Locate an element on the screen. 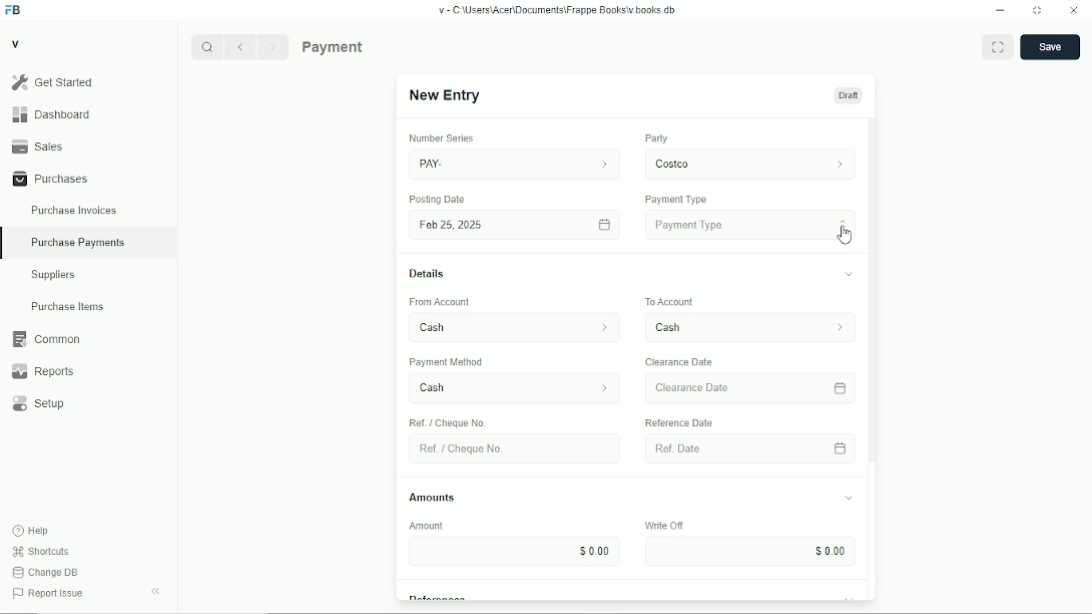 This screenshot has width=1092, height=614. V is located at coordinates (16, 43).